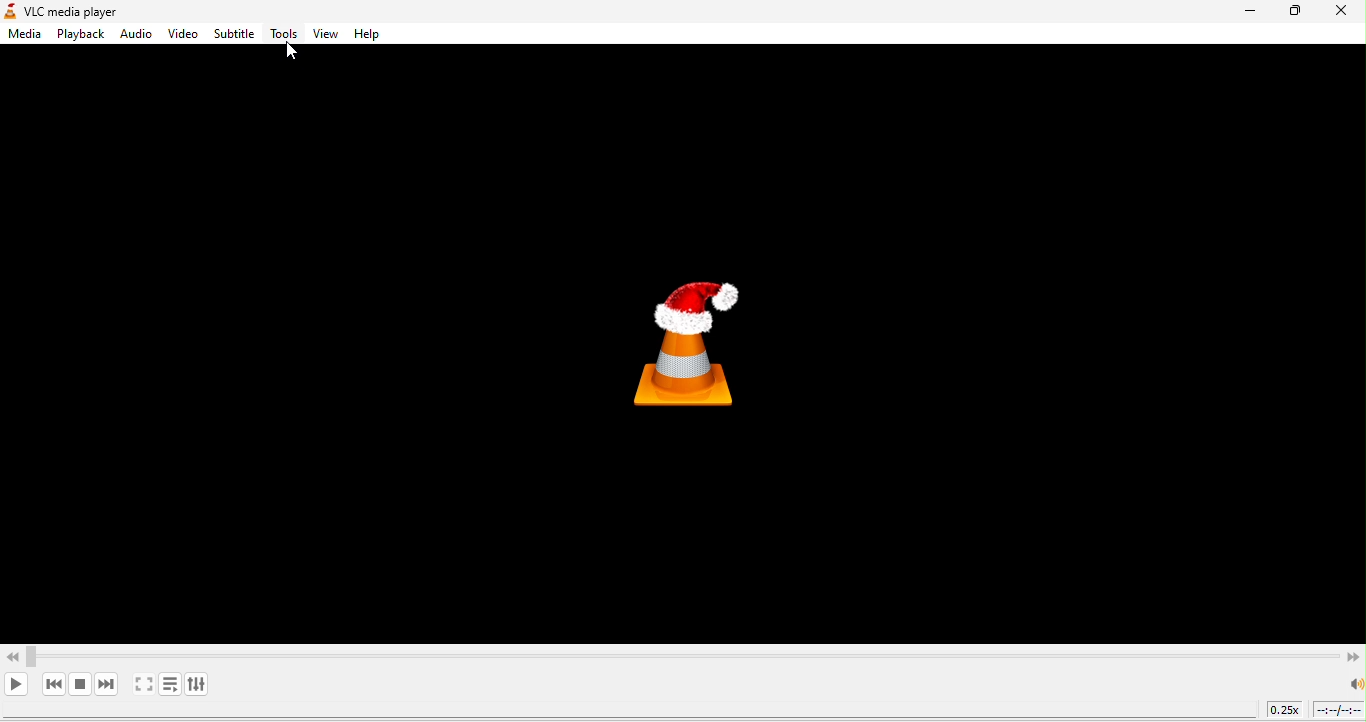 The width and height of the screenshot is (1366, 722). What do you see at coordinates (371, 35) in the screenshot?
I see `help` at bounding box center [371, 35].